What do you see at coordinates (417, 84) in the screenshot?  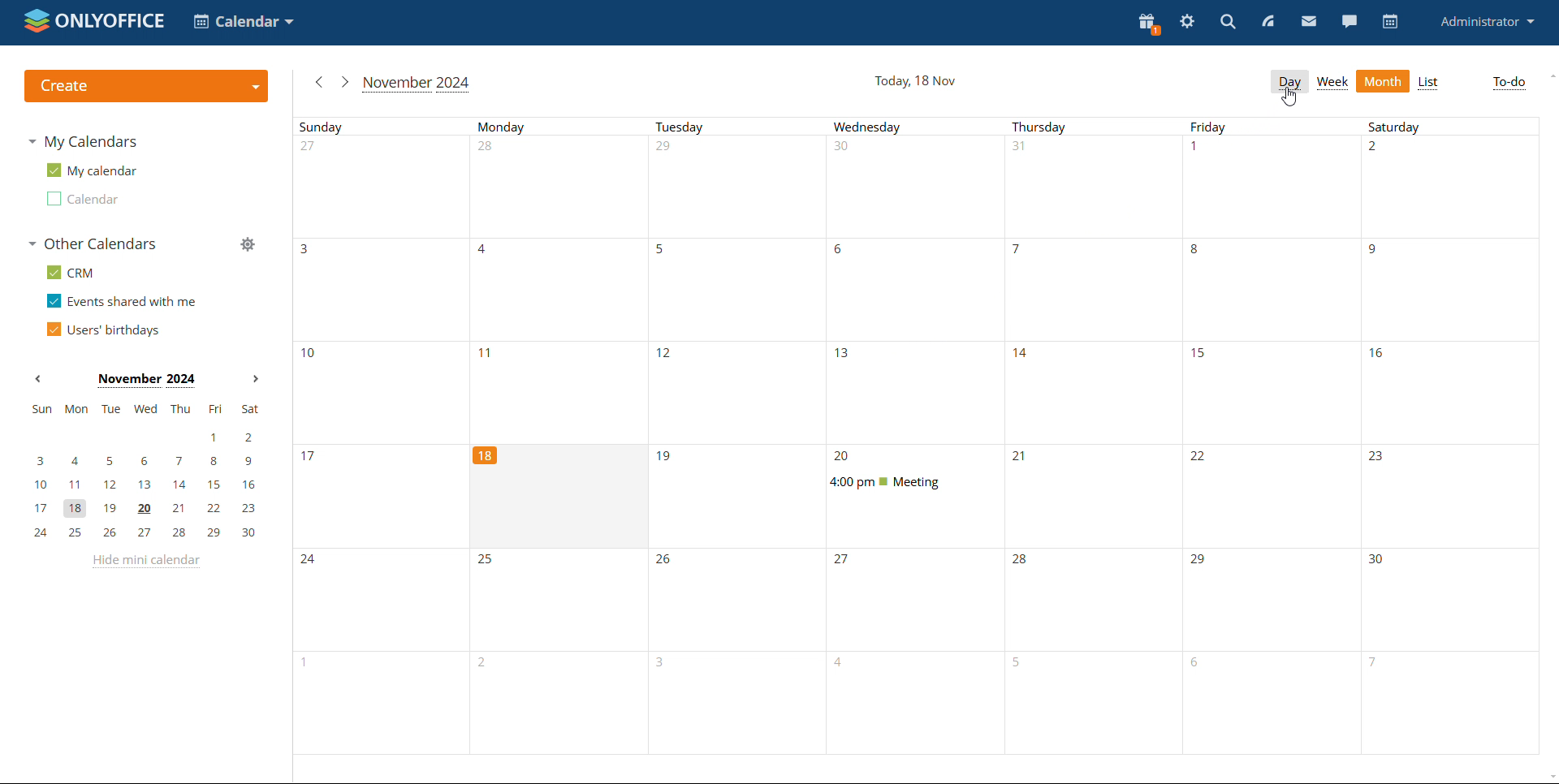 I see `current month` at bounding box center [417, 84].